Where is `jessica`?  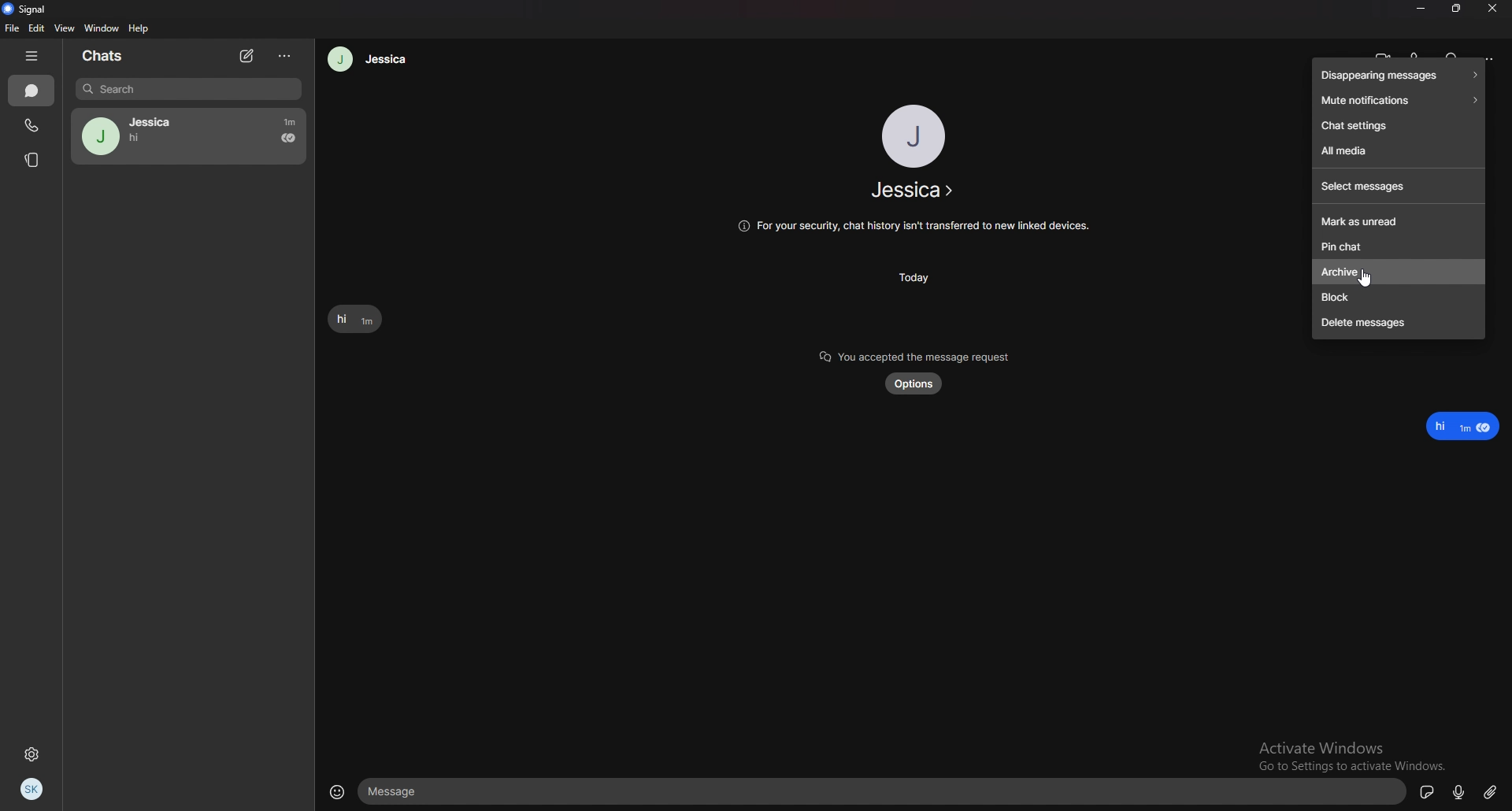 jessica is located at coordinates (189, 136).